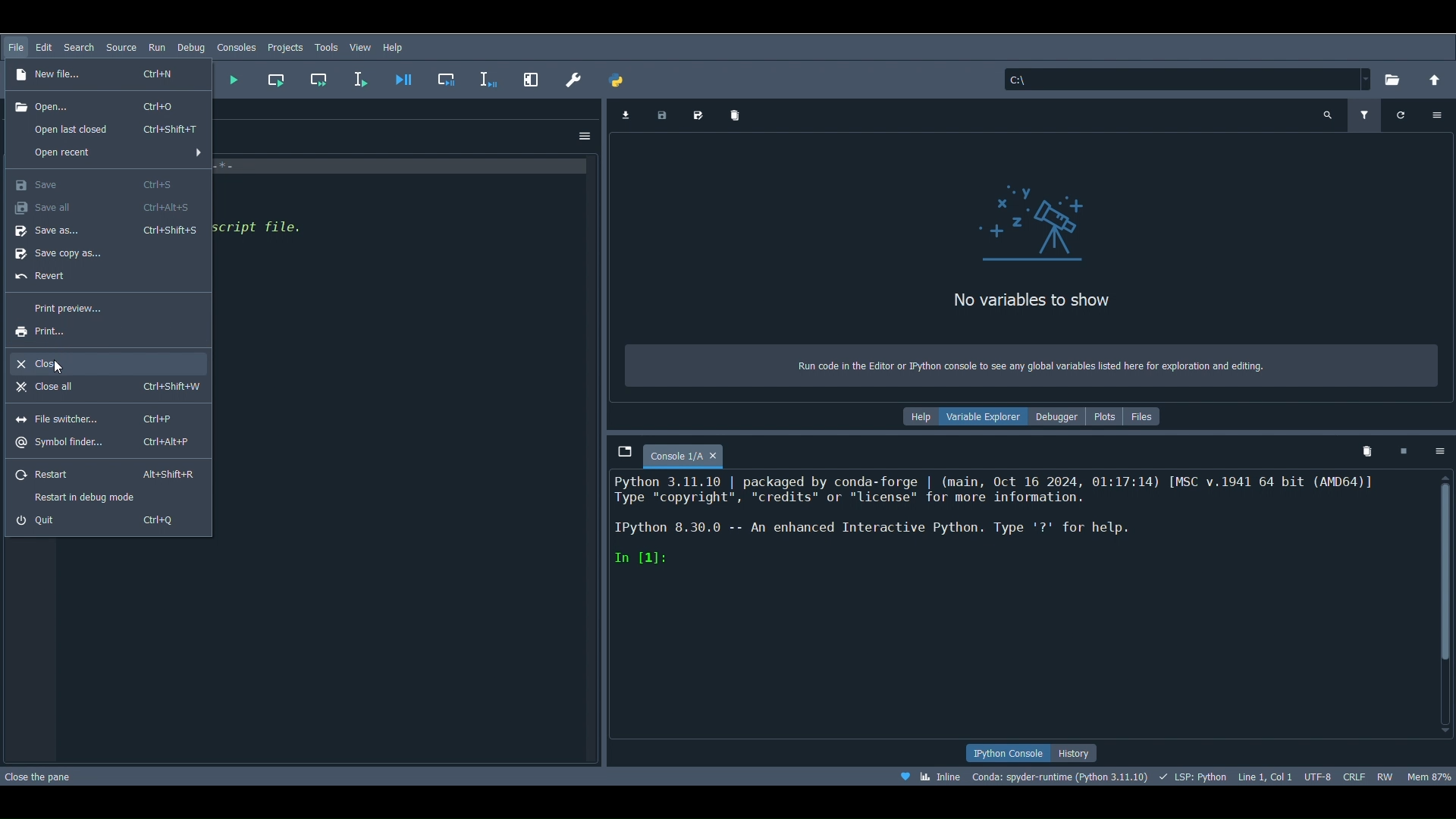  What do you see at coordinates (918, 418) in the screenshot?
I see `Help` at bounding box center [918, 418].